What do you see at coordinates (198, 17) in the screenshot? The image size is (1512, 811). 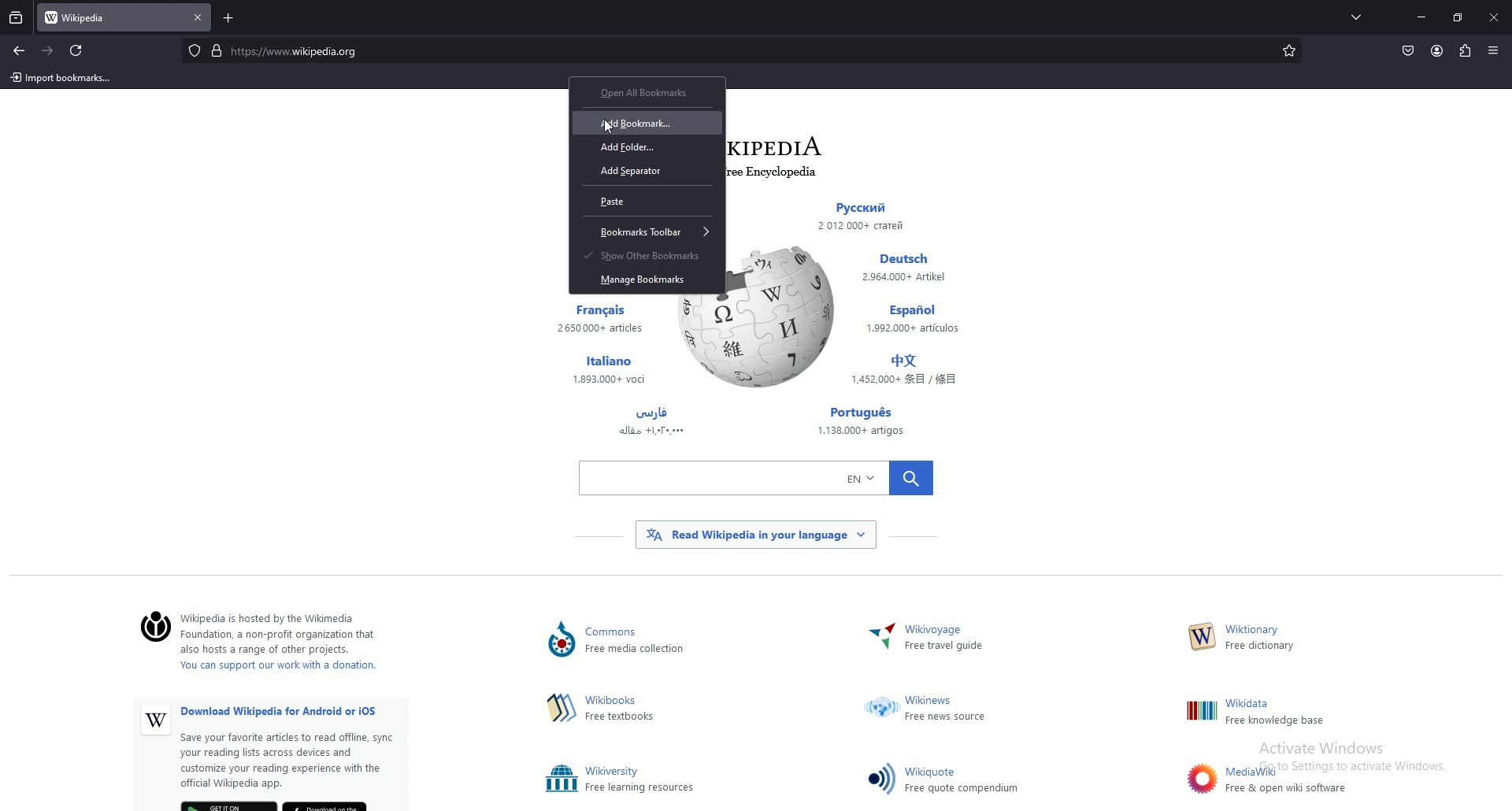 I see `close tab` at bounding box center [198, 17].